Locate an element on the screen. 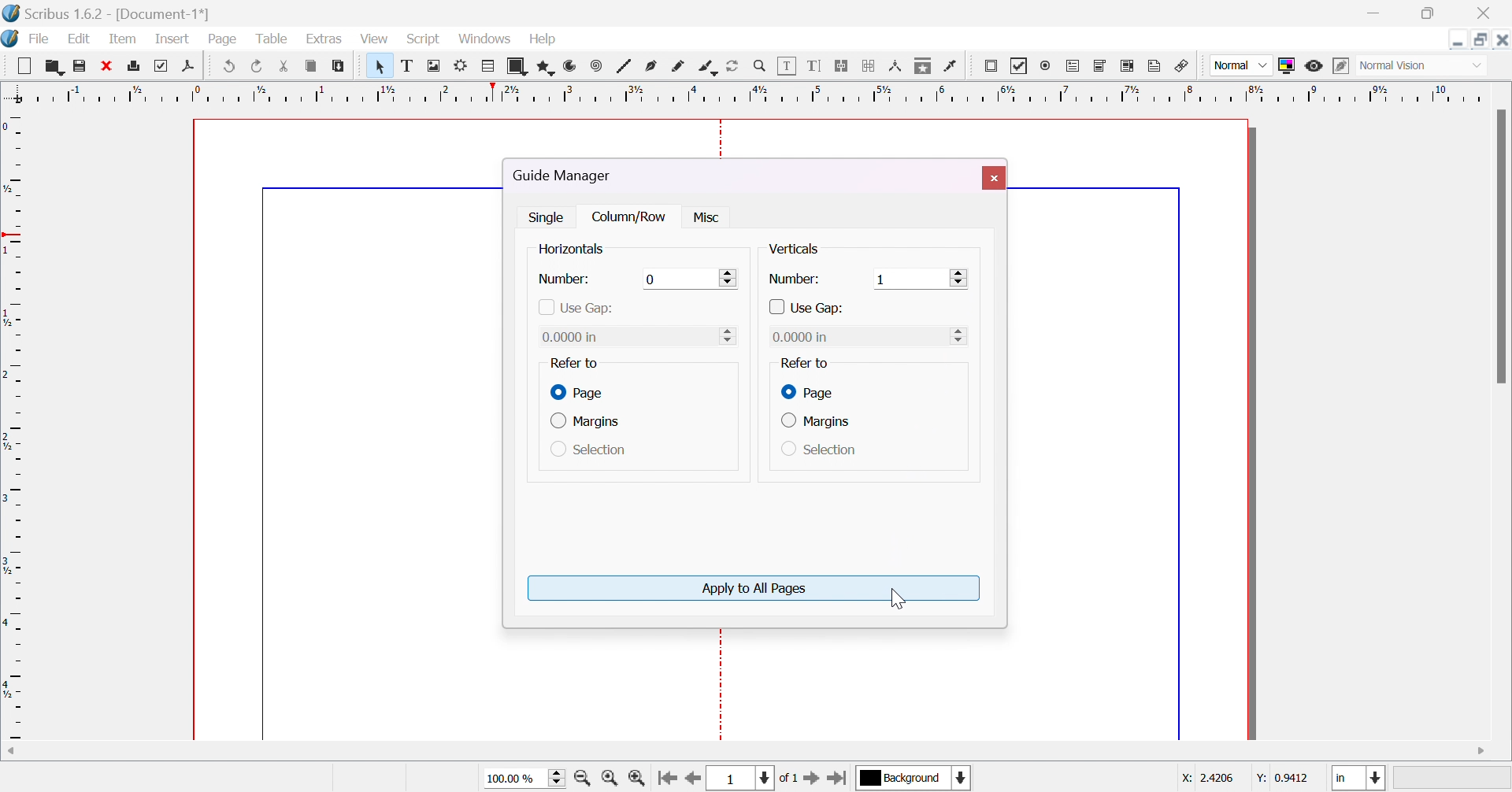 The height and width of the screenshot is (792, 1512). Select visual appearance of display is located at coordinates (1422, 67).